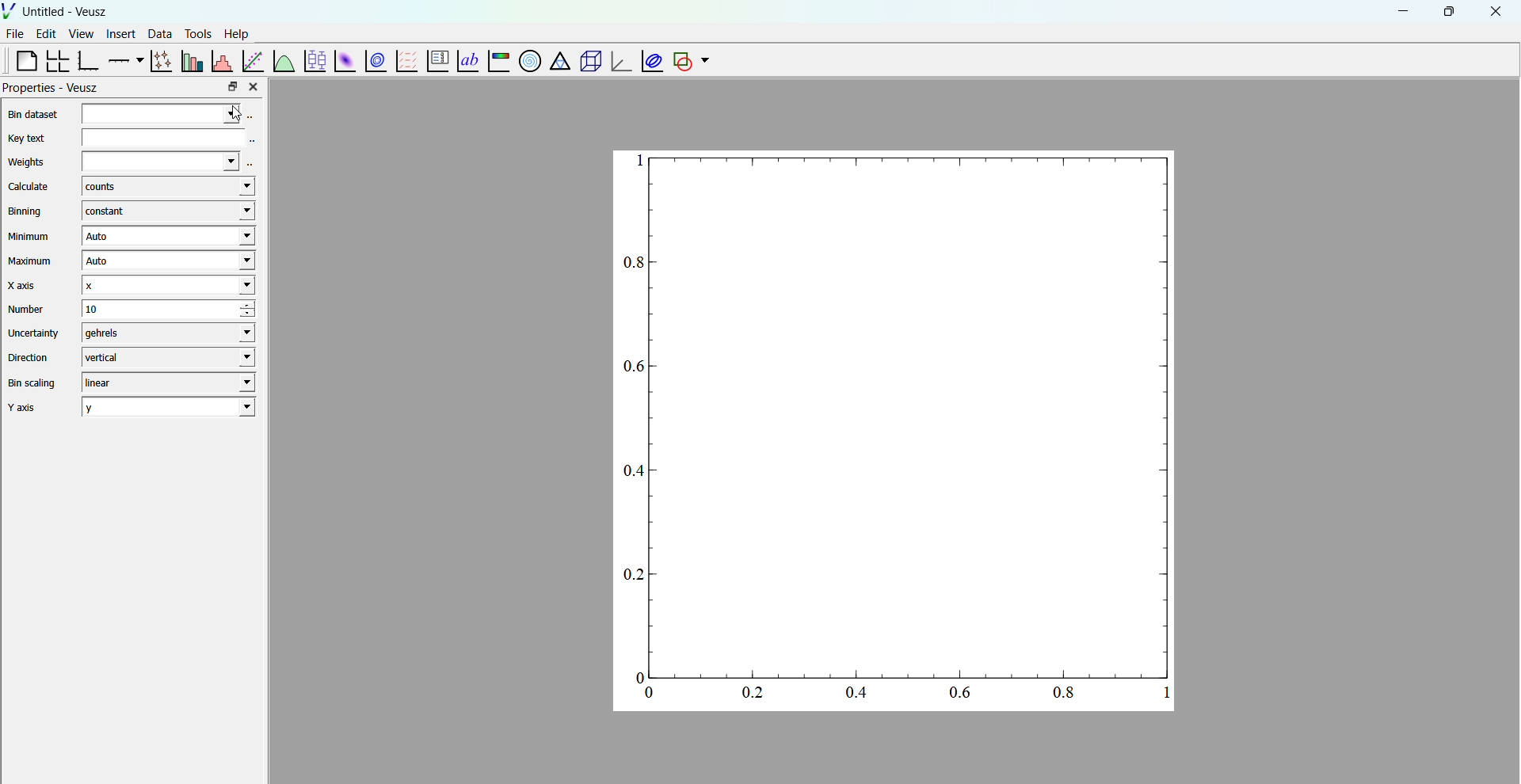 Image resolution: width=1521 pixels, height=784 pixels. Describe the element at coordinates (1067, 693) in the screenshot. I see `0.8` at that location.